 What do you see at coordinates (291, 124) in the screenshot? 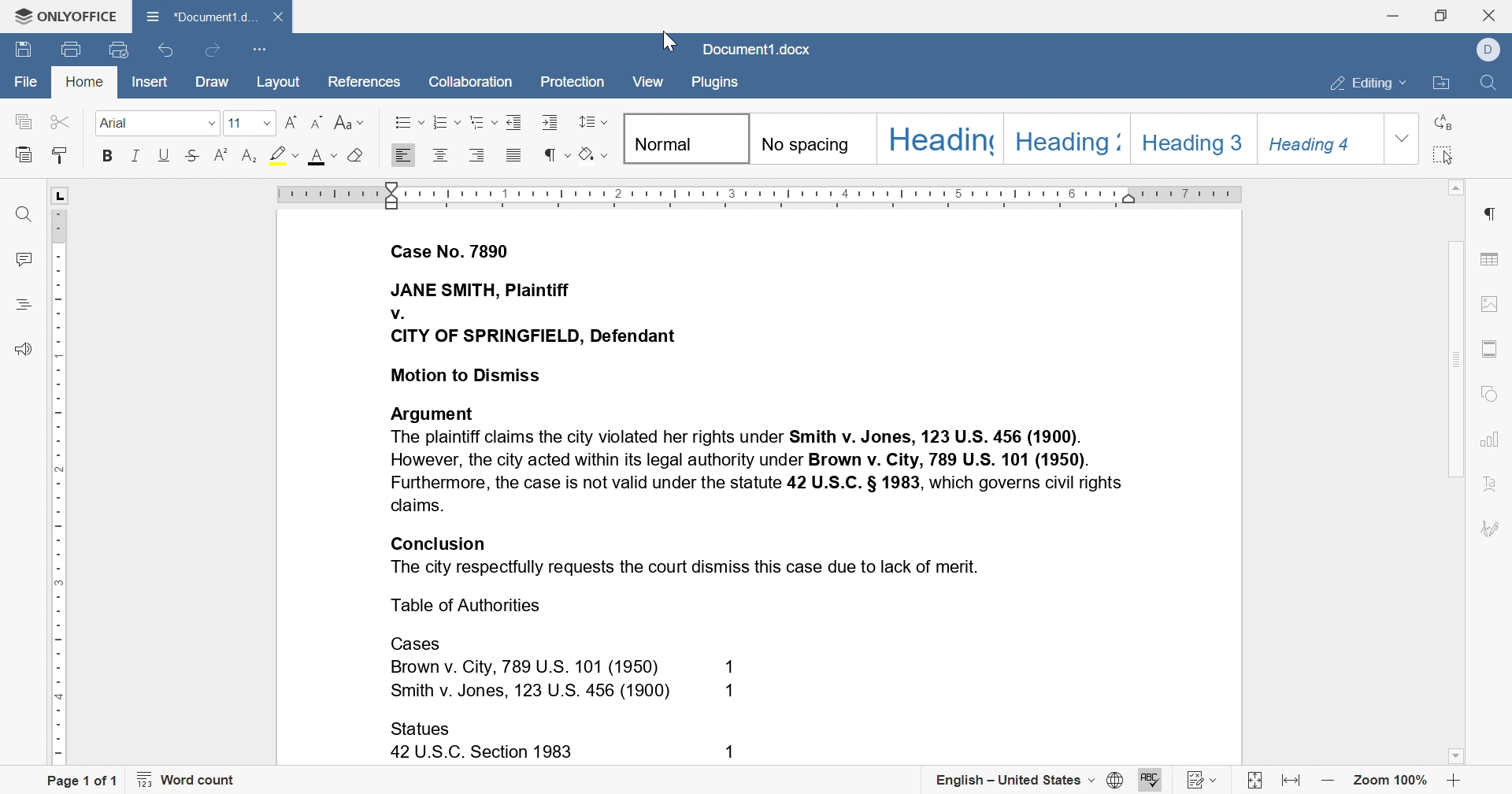
I see `increment font size` at bounding box center [291, 124].